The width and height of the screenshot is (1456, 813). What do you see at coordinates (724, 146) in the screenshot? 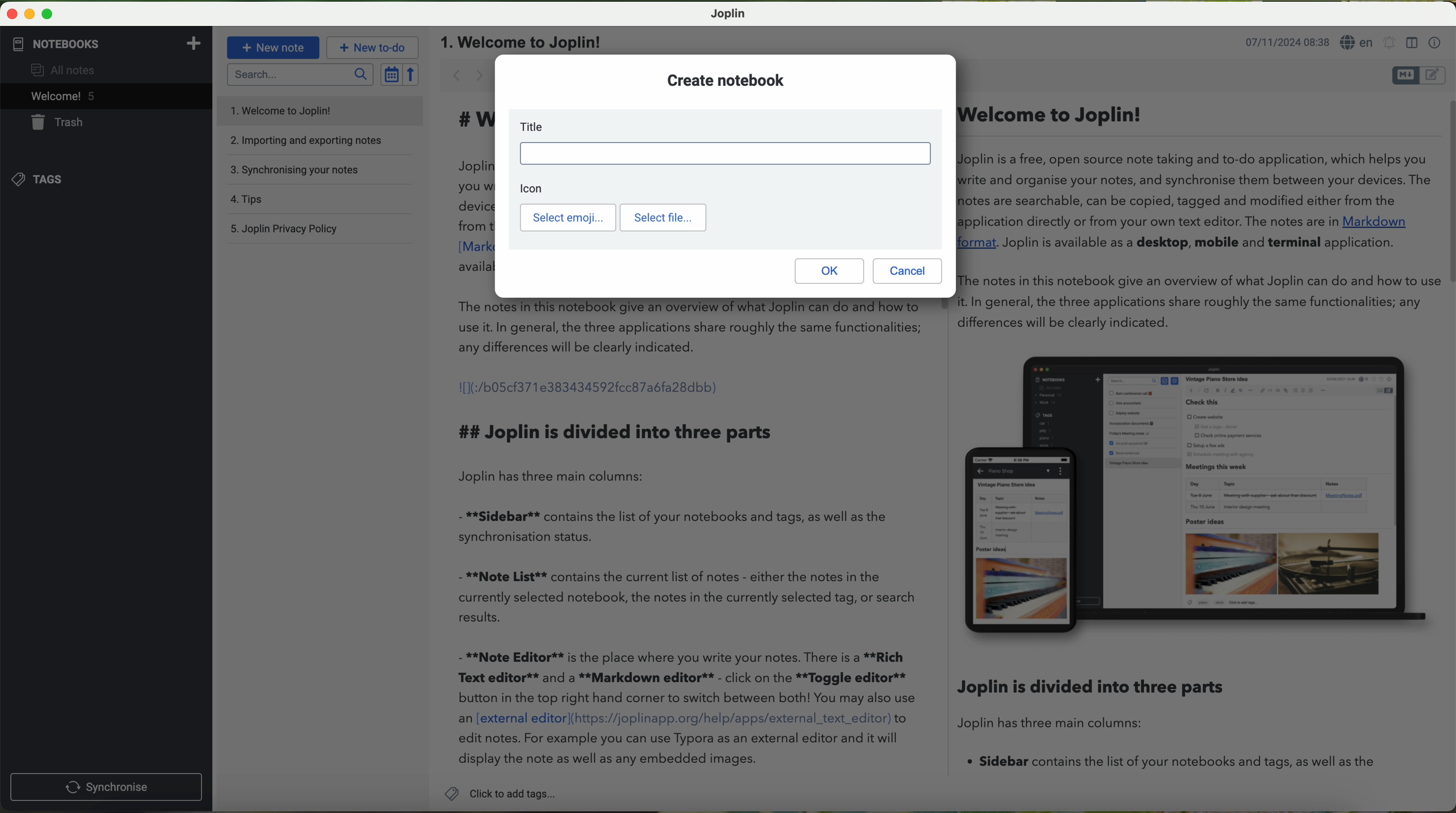
I see `title` at bounding box center [724, 146].